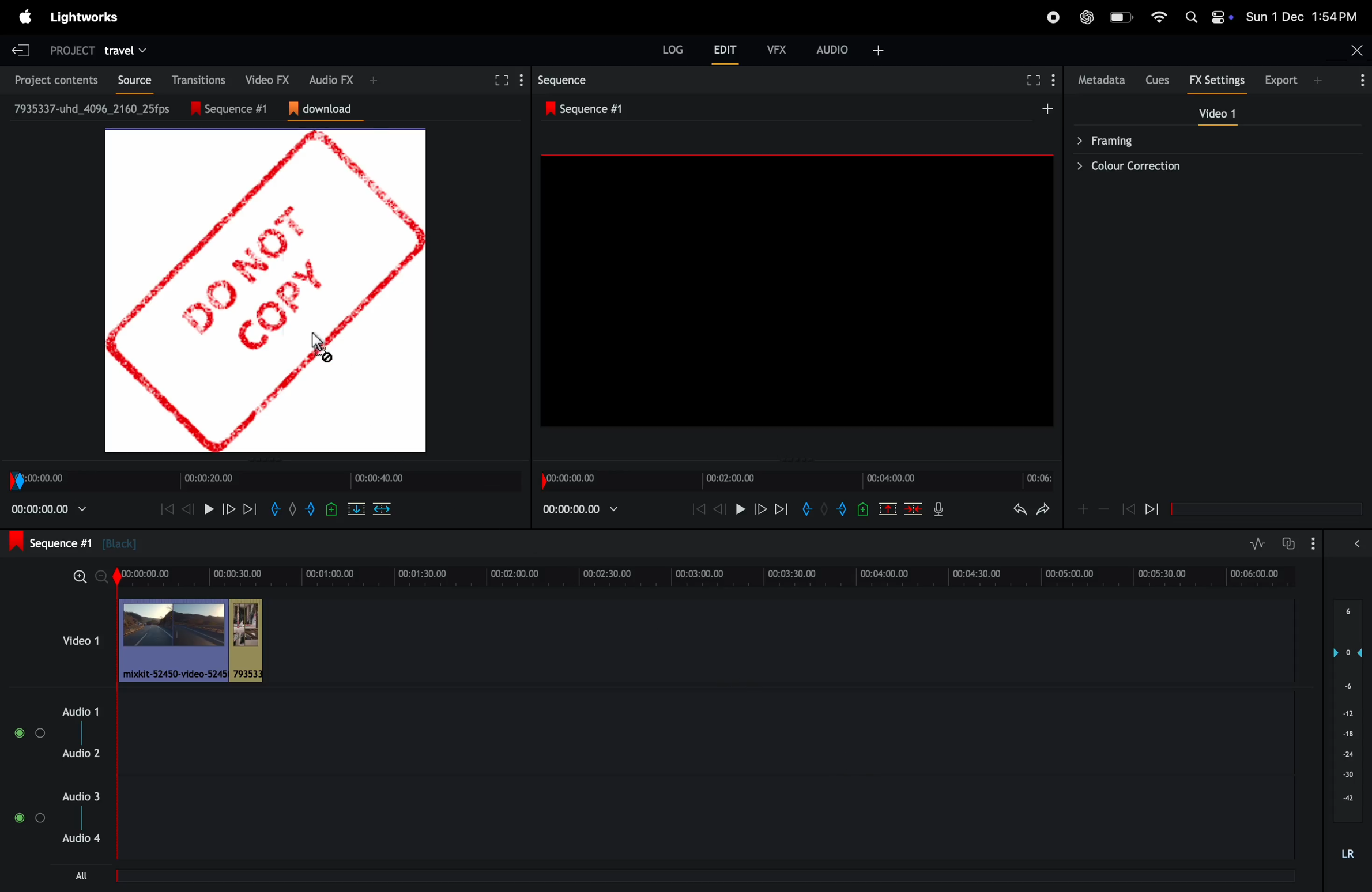 Image resolution: width=1372 pixels, height=892 pixels. Describe the element at coordinates (82, 875) in the screenshot. I see `all` at that location.